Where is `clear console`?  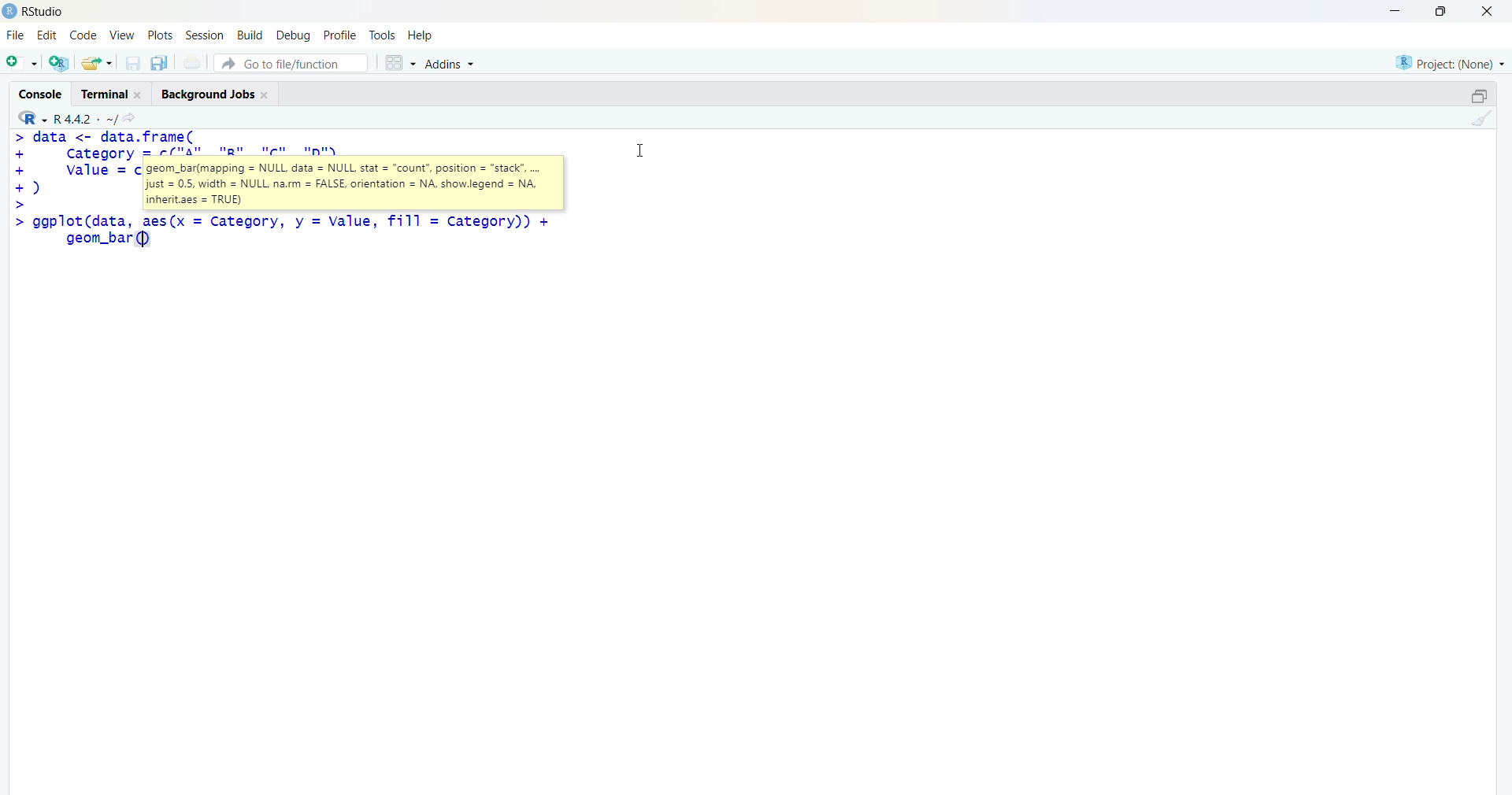
clear console is located at coordinates (1479, 118).